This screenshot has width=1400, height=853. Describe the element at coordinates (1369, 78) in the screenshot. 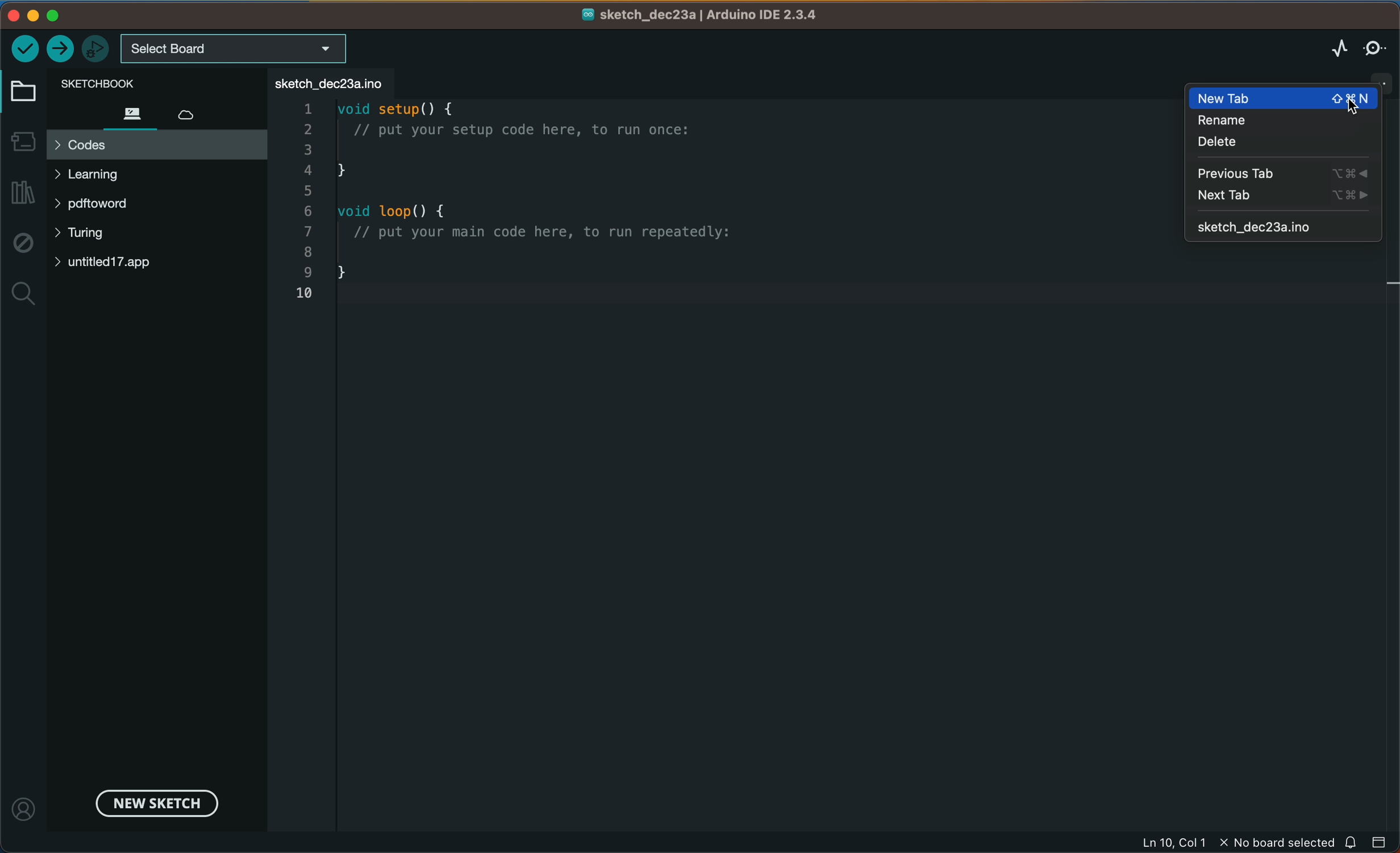

I see `file setting` at that location.